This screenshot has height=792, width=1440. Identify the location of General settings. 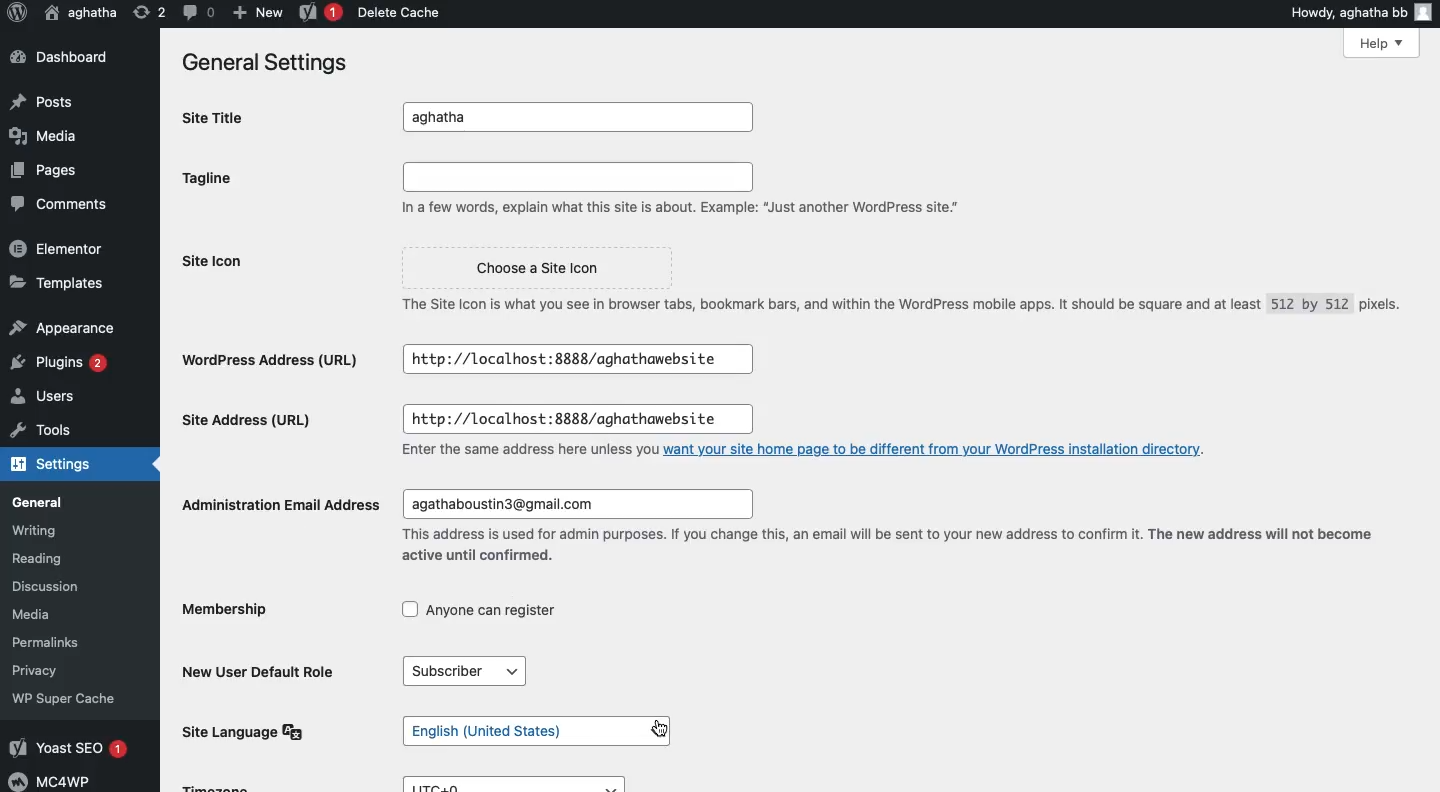
(260, 61).